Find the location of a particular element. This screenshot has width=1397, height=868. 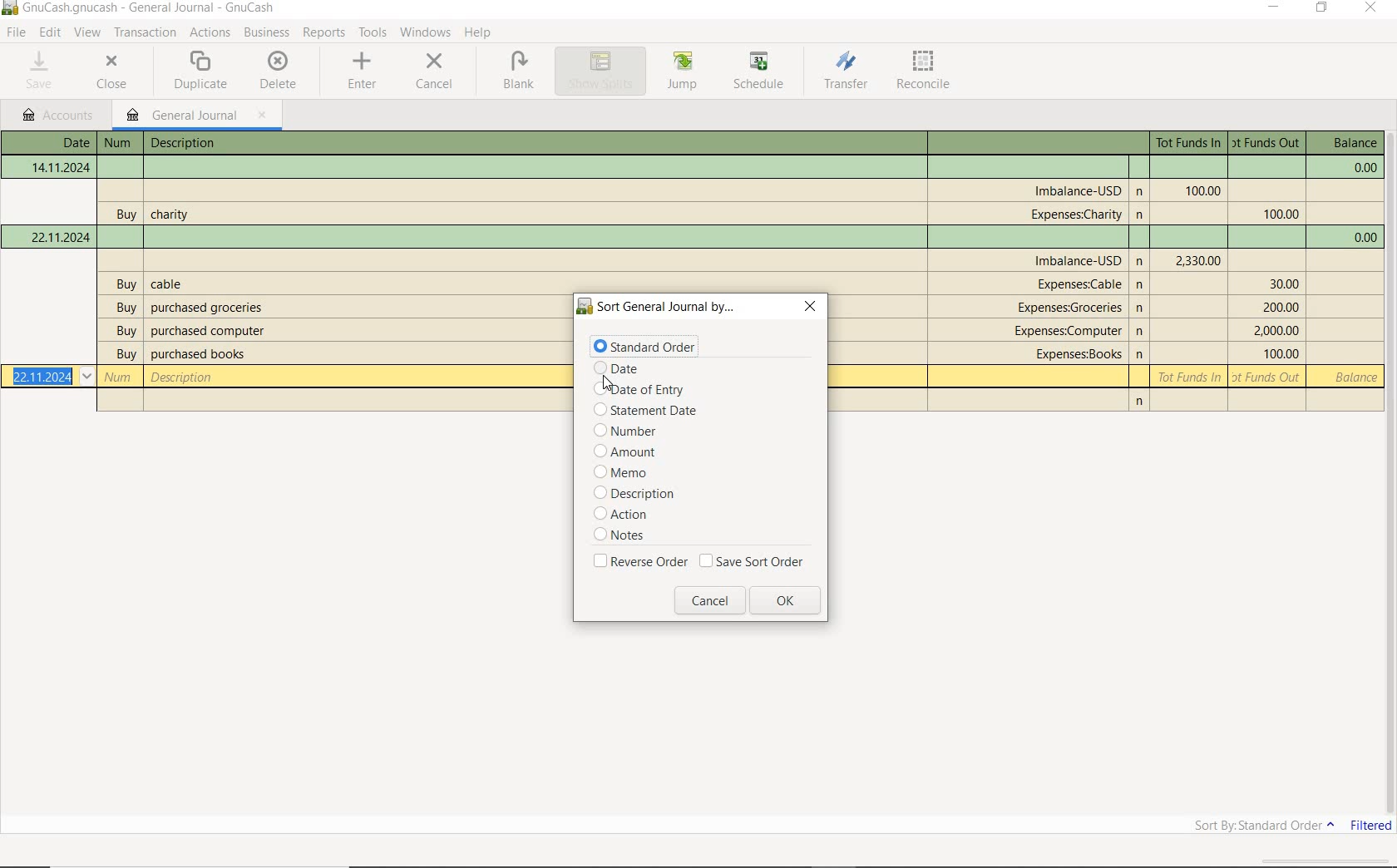

n is located at coordinates (1142, 309).